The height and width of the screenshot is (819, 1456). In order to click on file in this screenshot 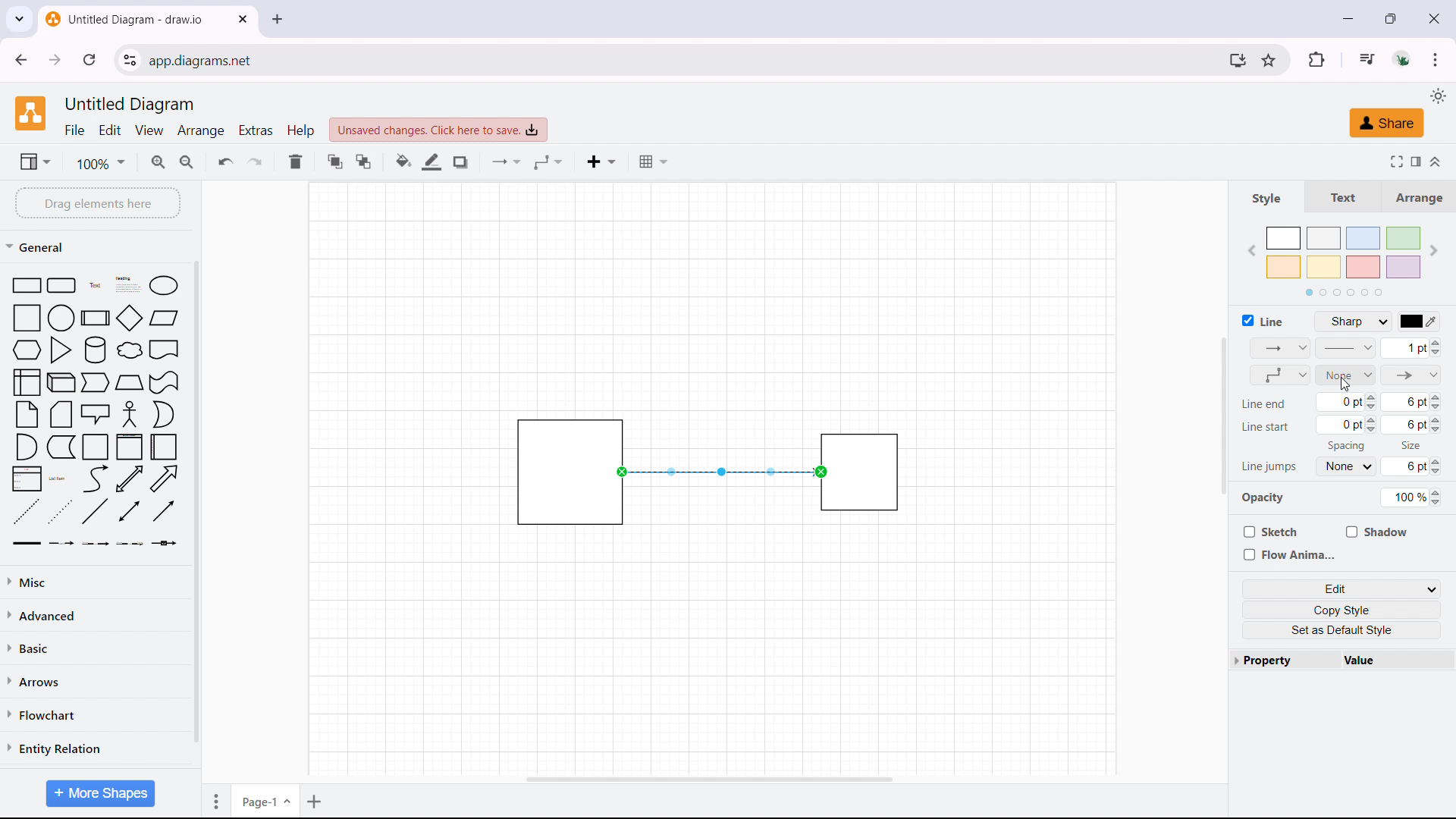, I will do `click(75, 130)`.